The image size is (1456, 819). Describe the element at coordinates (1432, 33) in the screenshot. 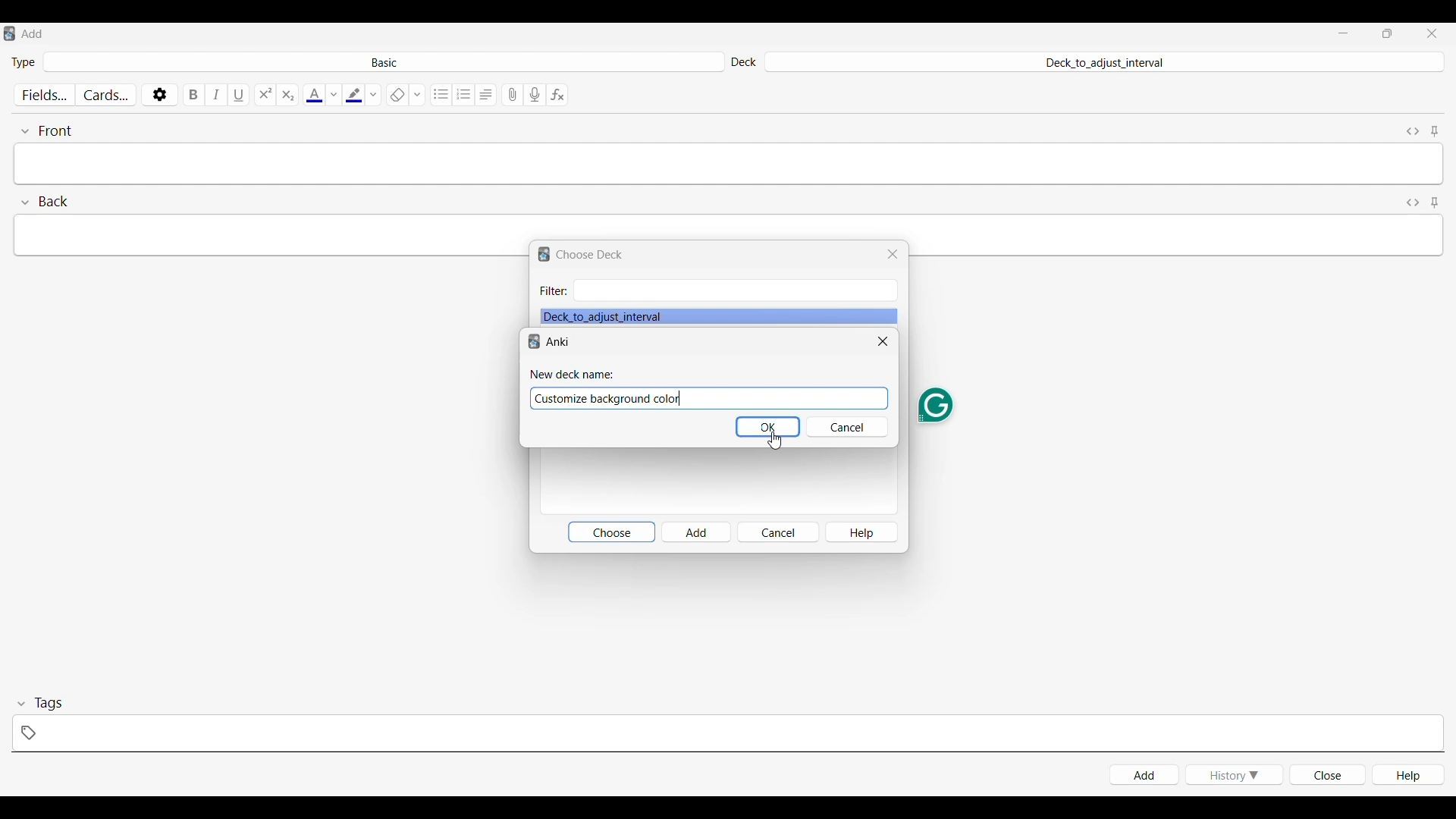

I see `Close interface` at that location.